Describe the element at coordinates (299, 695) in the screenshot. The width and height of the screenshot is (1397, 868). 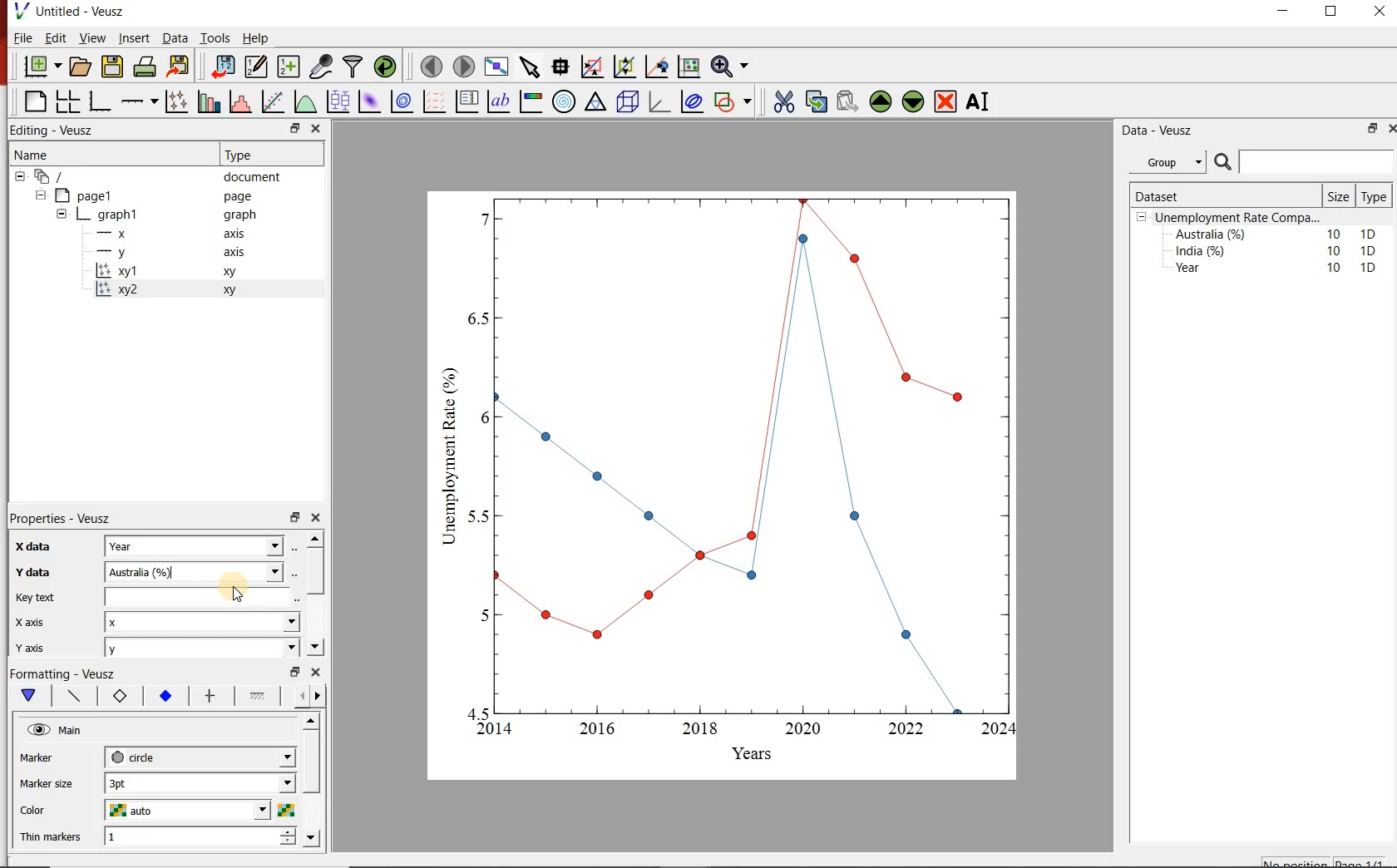
I see `more left` at that location.